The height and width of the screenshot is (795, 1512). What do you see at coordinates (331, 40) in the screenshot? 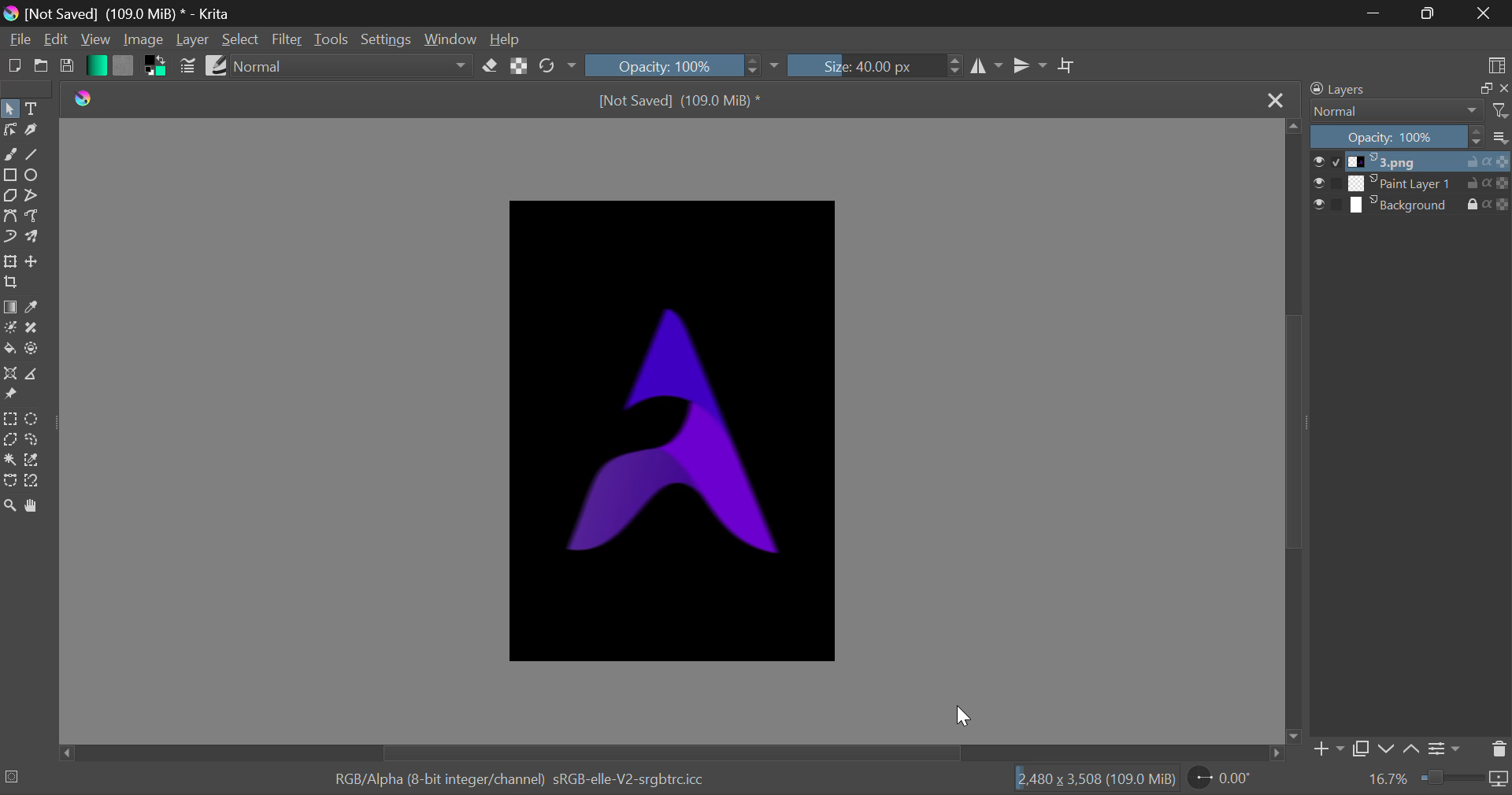
I see `Tools` at bounding box center [331, 40].